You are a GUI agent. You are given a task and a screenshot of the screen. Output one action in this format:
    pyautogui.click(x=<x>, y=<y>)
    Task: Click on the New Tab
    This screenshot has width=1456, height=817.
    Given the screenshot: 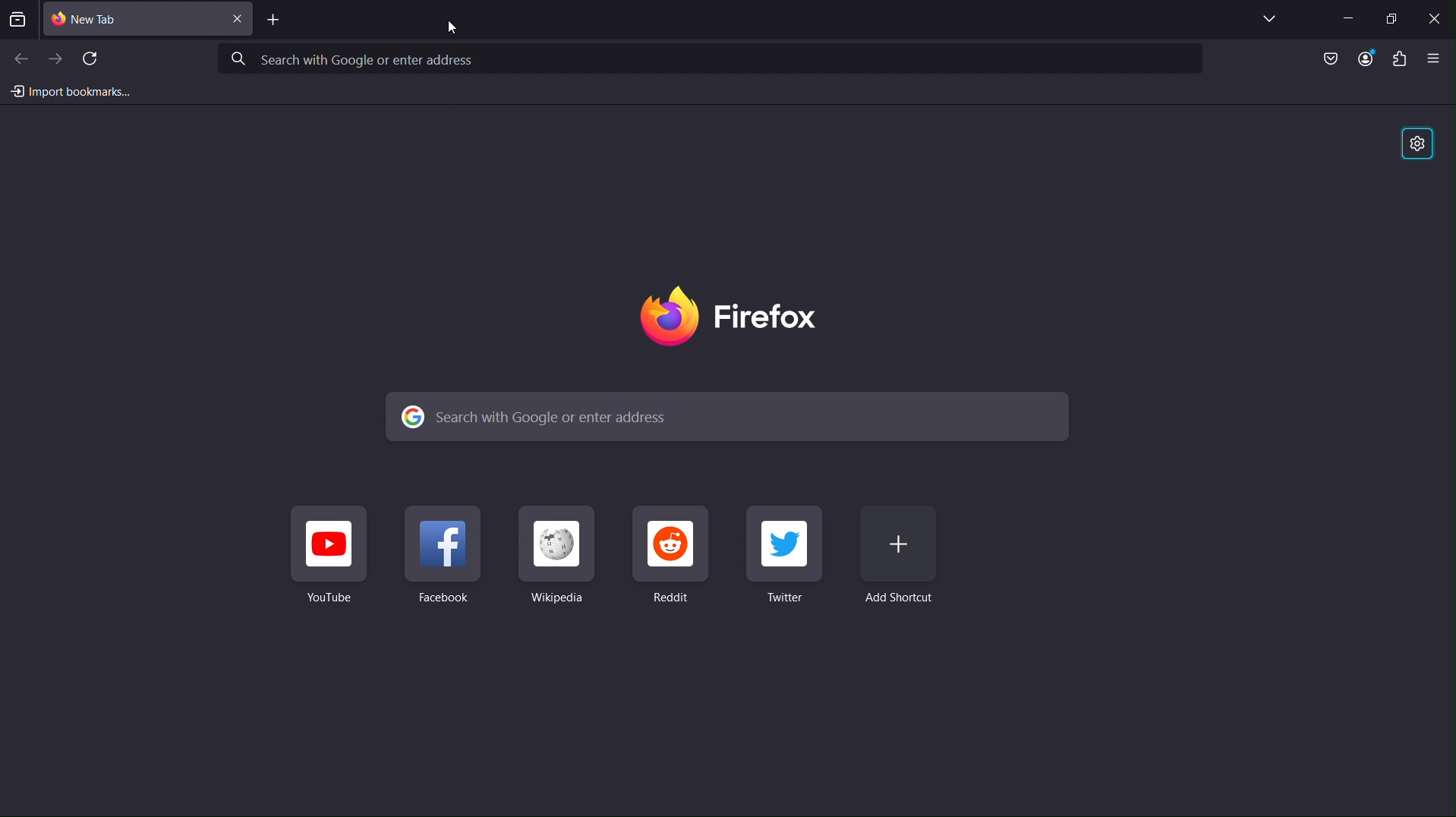 What is the action you would take?
    pyautogui.click(x=144, y=20)
    